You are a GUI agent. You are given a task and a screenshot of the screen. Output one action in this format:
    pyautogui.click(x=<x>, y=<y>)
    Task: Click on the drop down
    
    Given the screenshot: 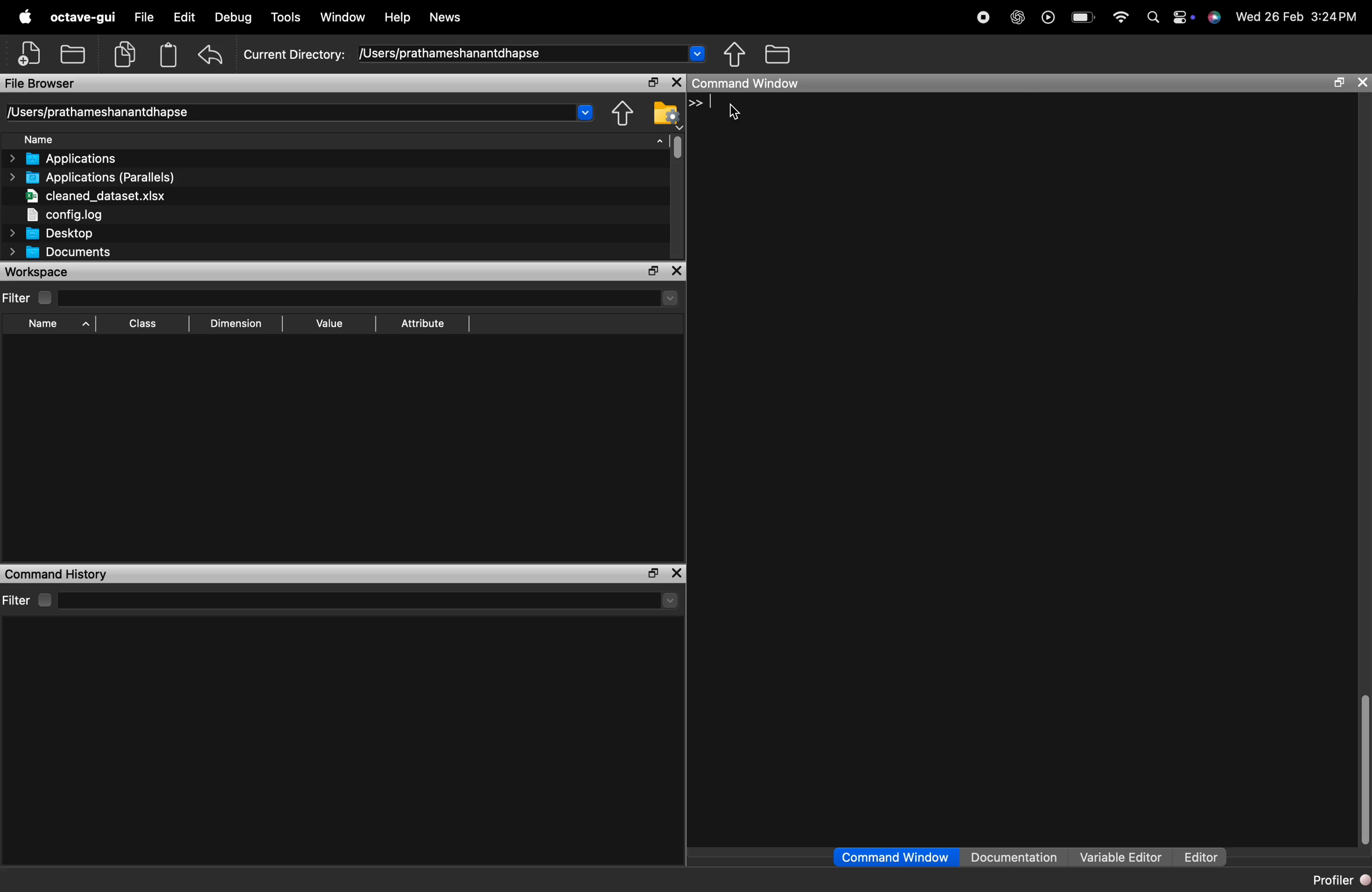 What is the action you would take?
    pyautogui.click(x=669, y=601)
    